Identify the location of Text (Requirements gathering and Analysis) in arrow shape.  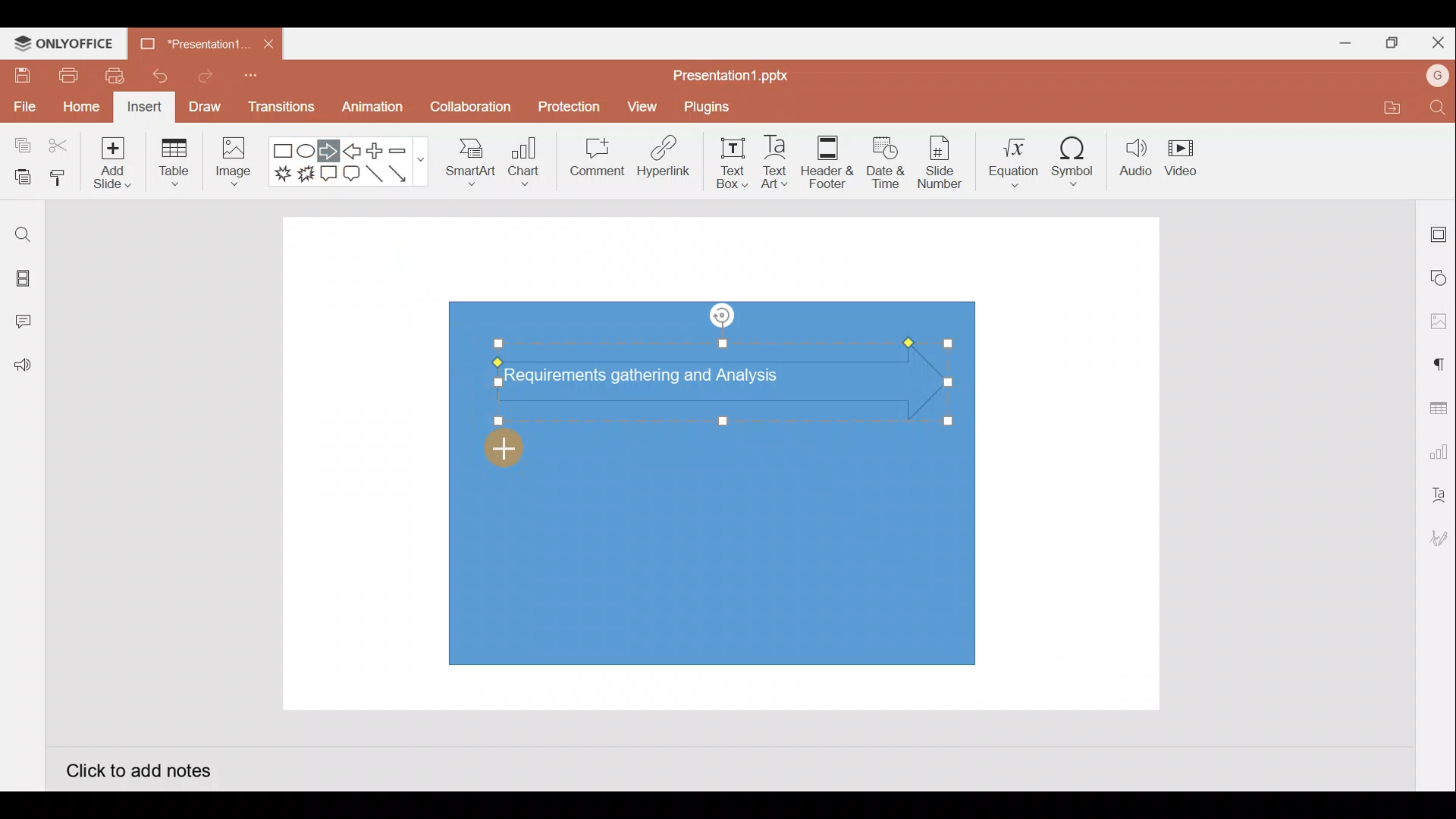
(654, 378).